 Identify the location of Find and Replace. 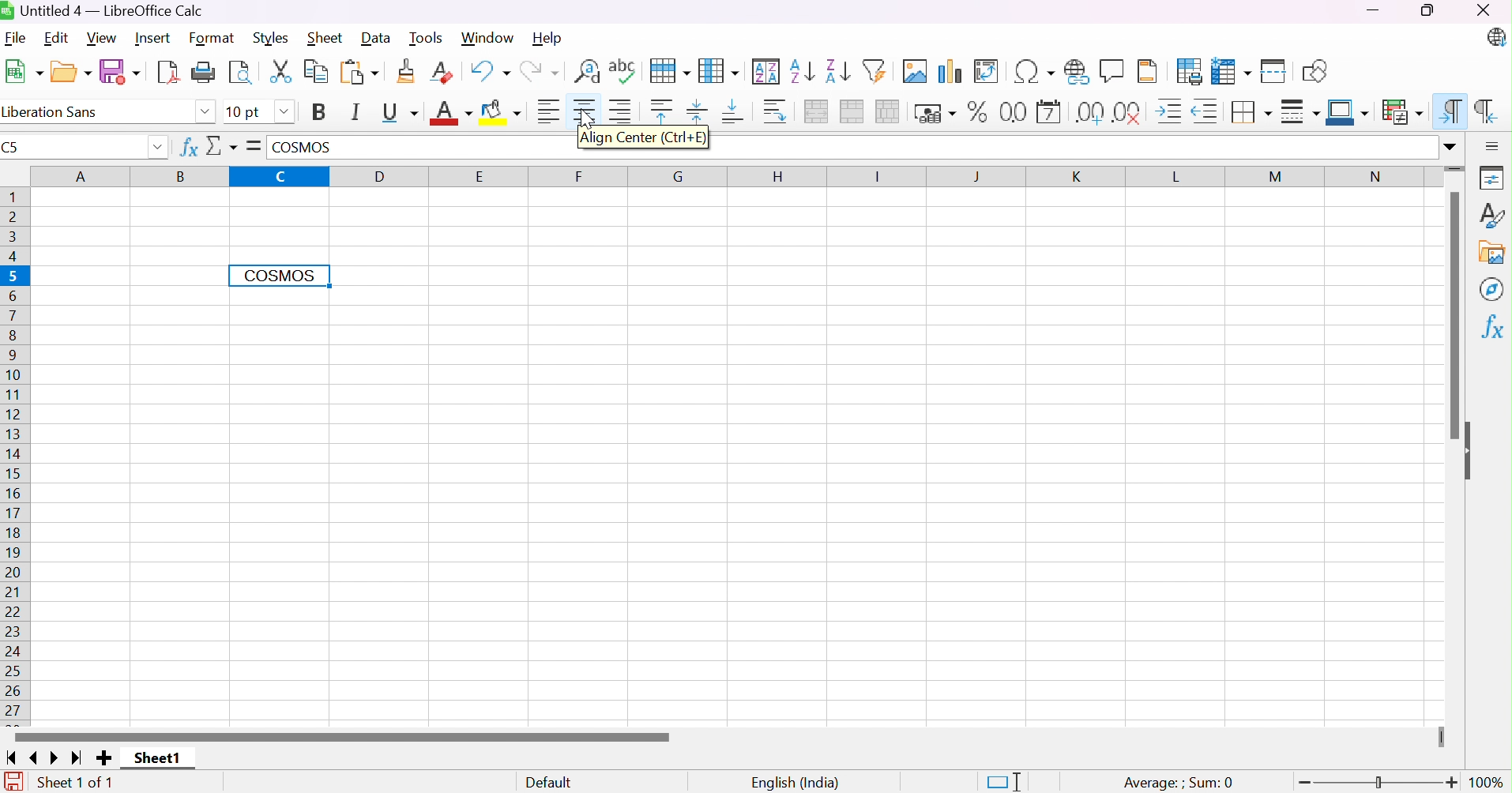
(585, 71).